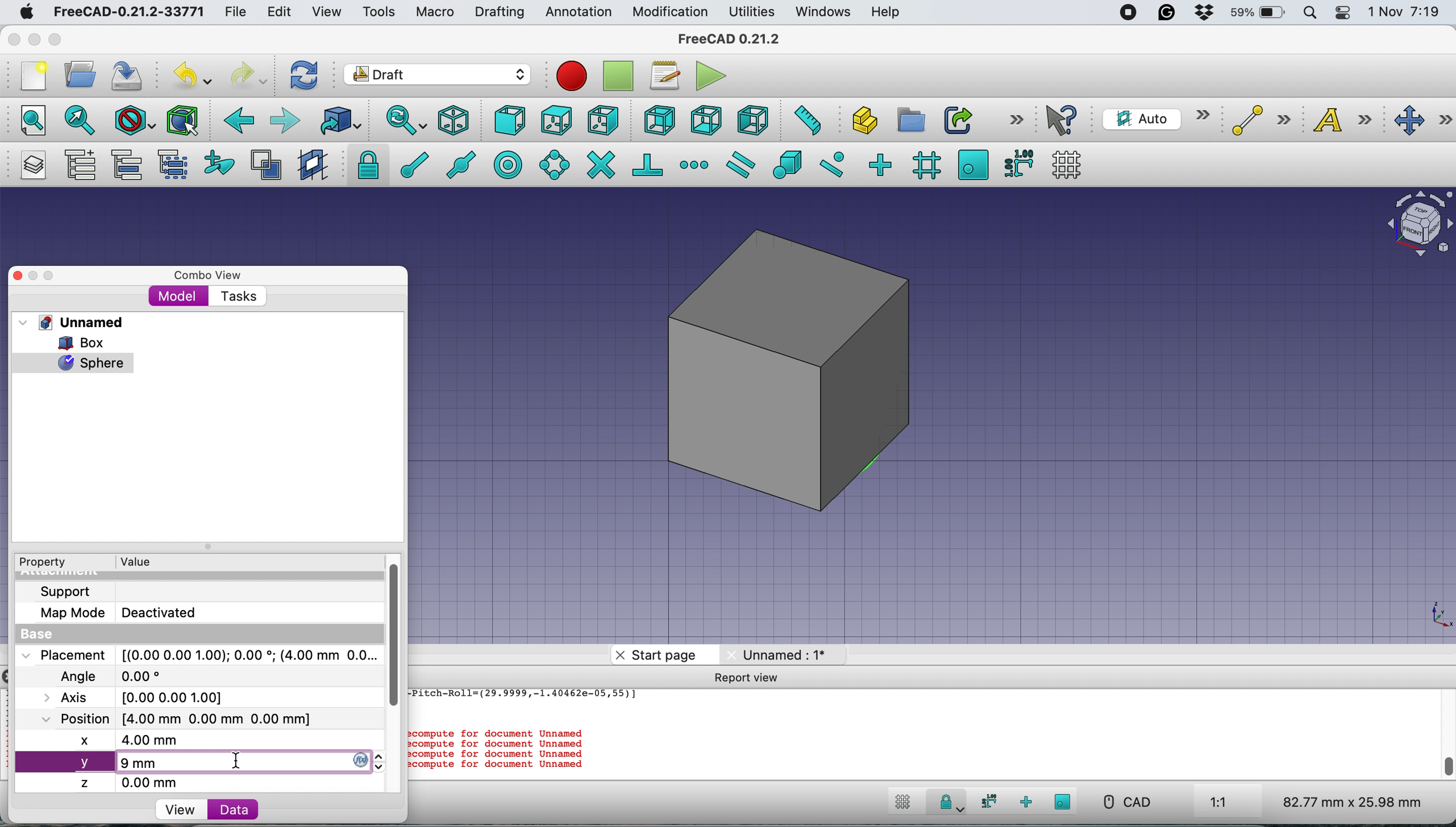 This screenshot has height=827, width=1456. Describe the element at coordinates (1424, 617) in the screenshot. I see `xy coordinate` at that location.